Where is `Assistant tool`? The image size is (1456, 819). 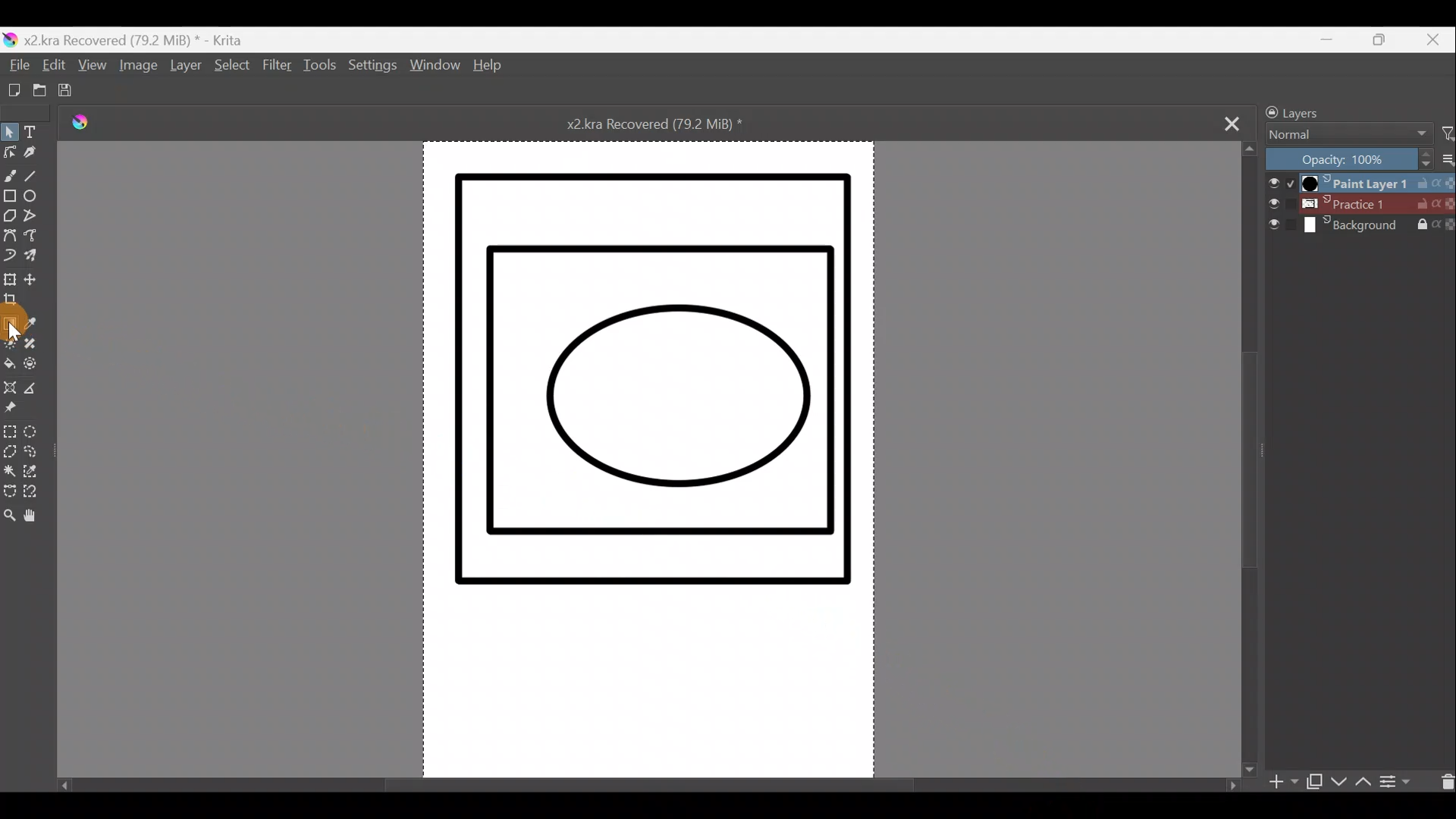
Assistant tool is located at coordinates (10, 390).